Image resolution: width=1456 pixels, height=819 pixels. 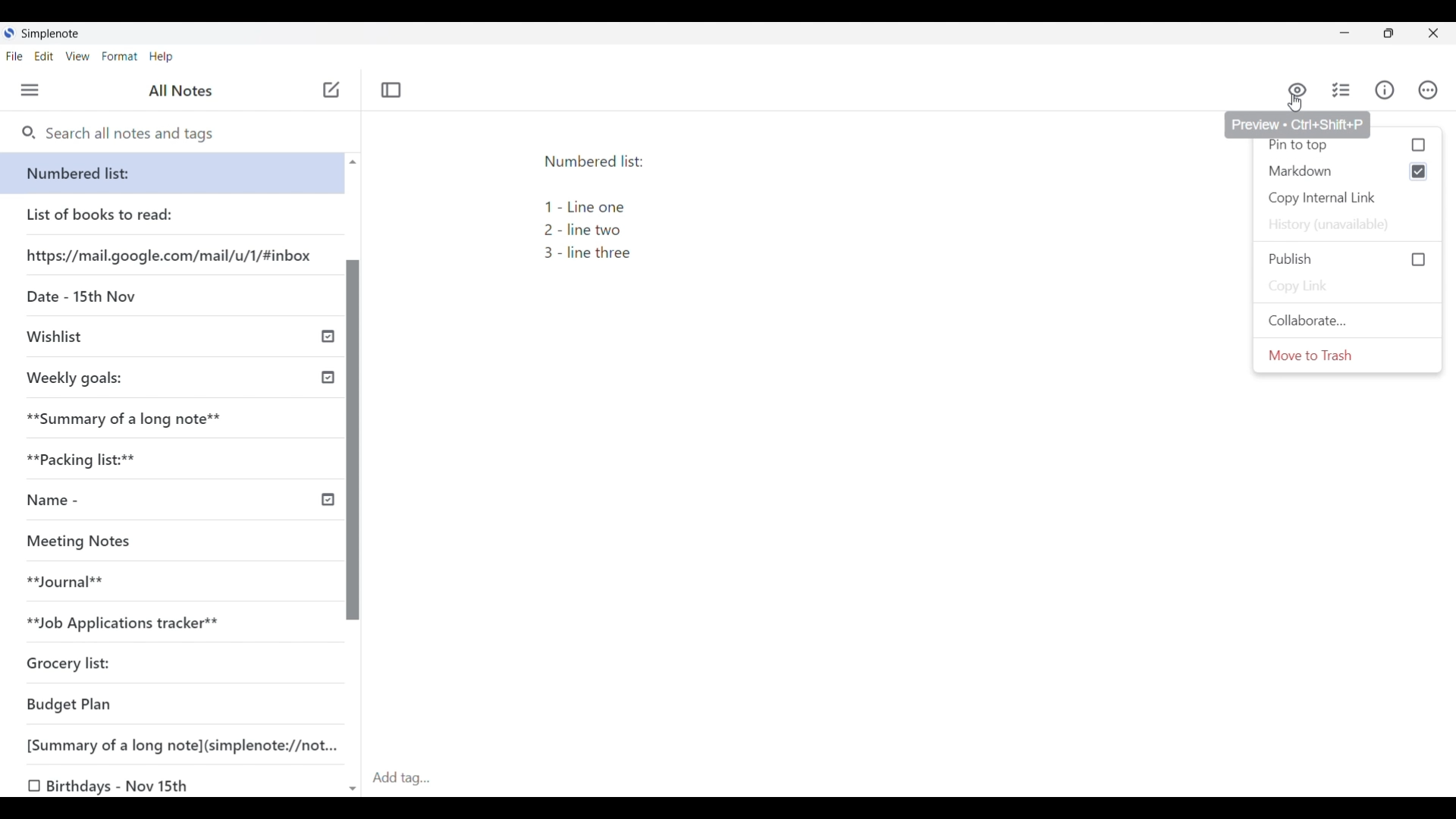 I want to click on Preview markdown, so click(x=1298, y=86).